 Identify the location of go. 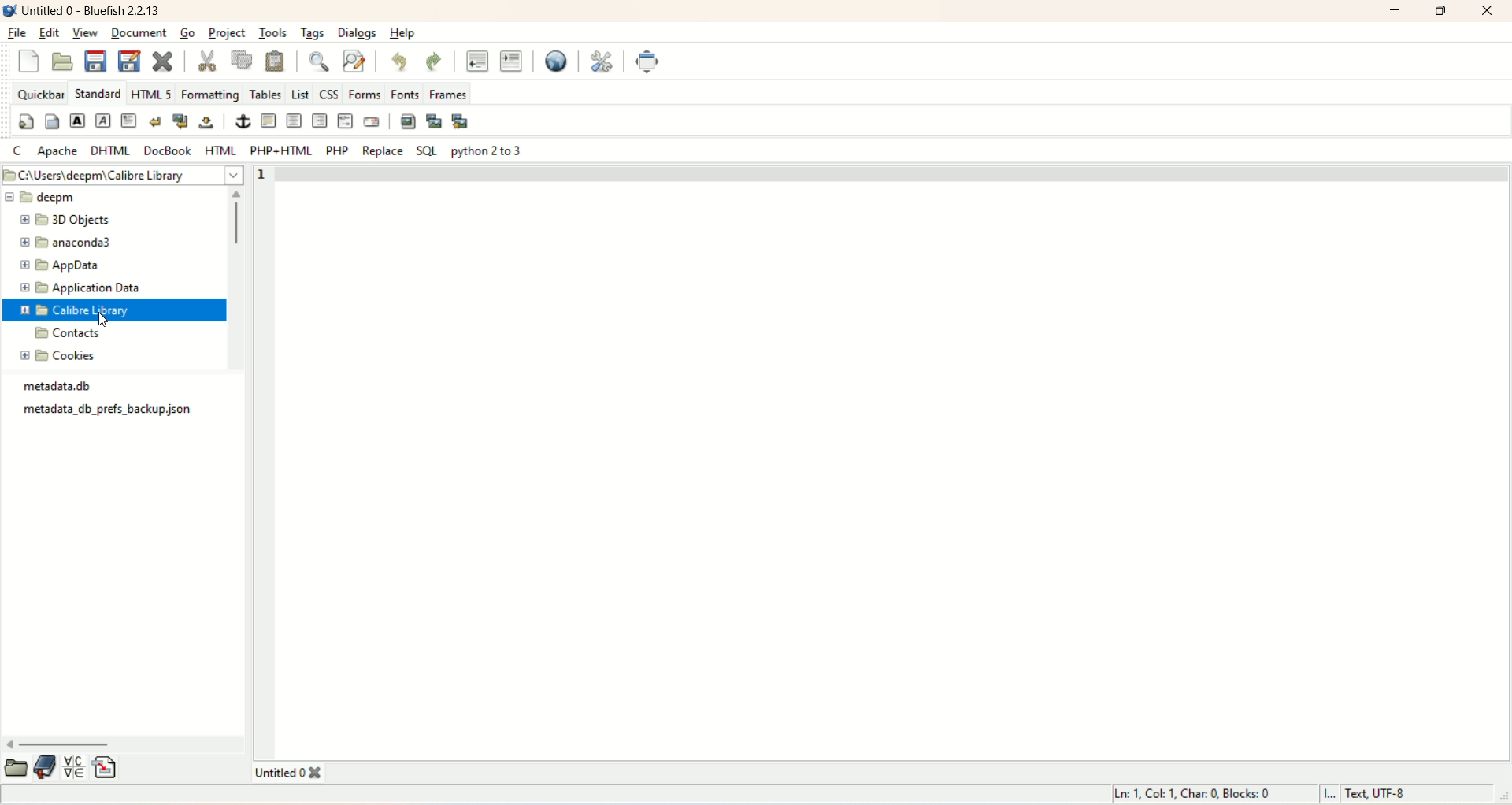
(187, 32).